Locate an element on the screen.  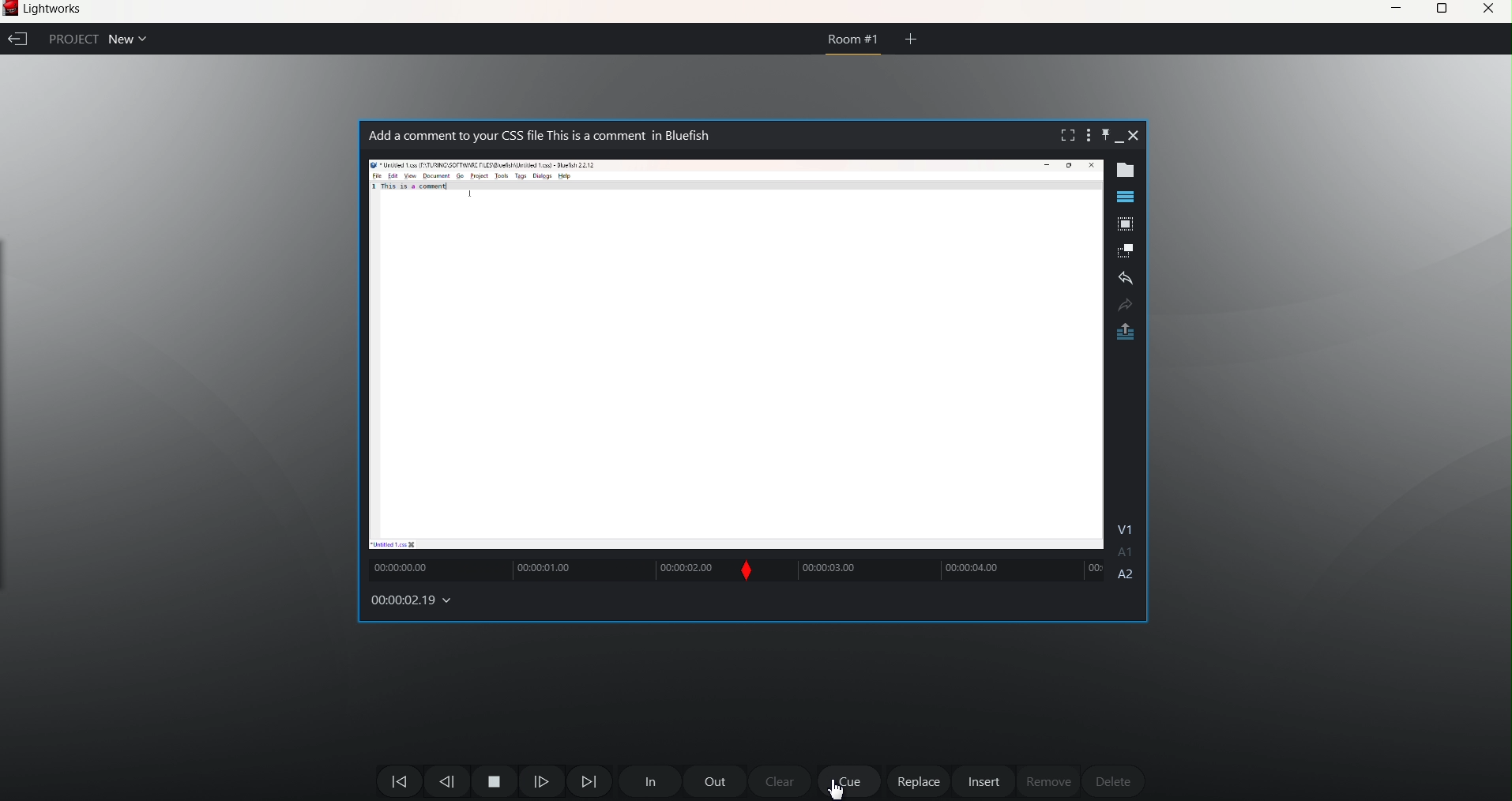
00:00:02:19 (Time changes) is located at coordinates (414, 603).